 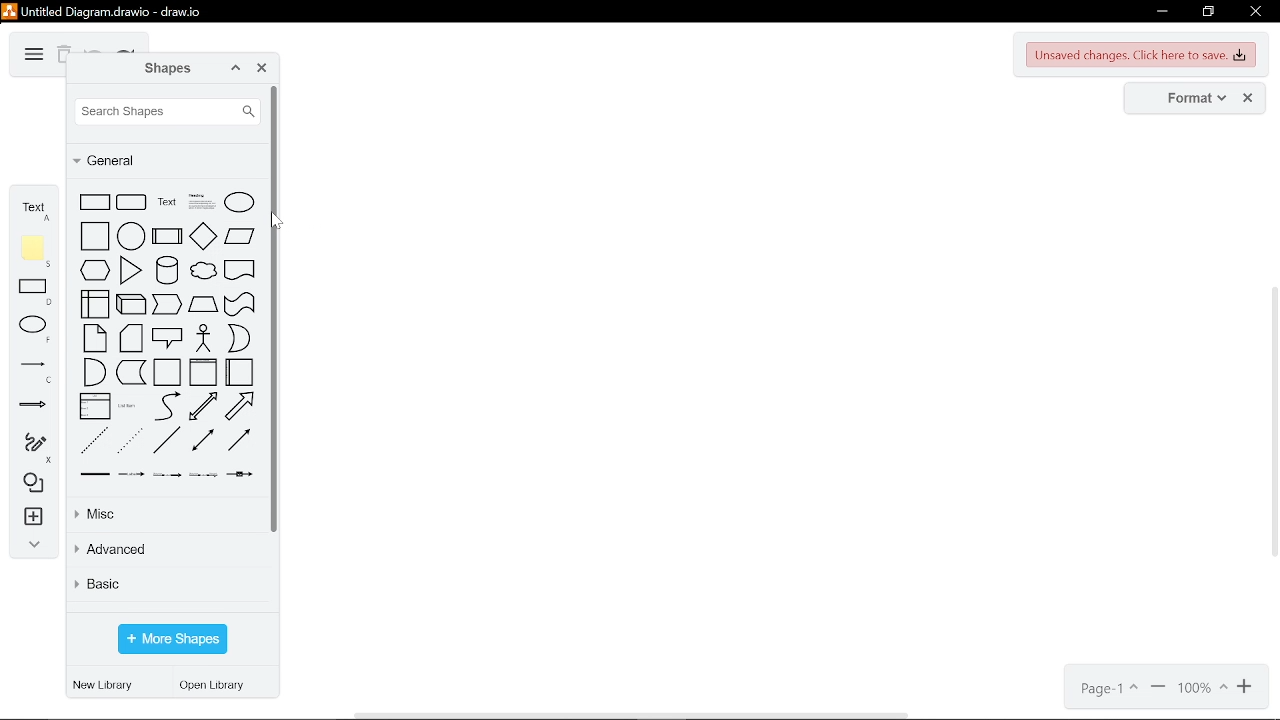 What do you see at coordinates (239, 372) in the screenshot?
I see `horizontal container` at bounding box center [239, 372].